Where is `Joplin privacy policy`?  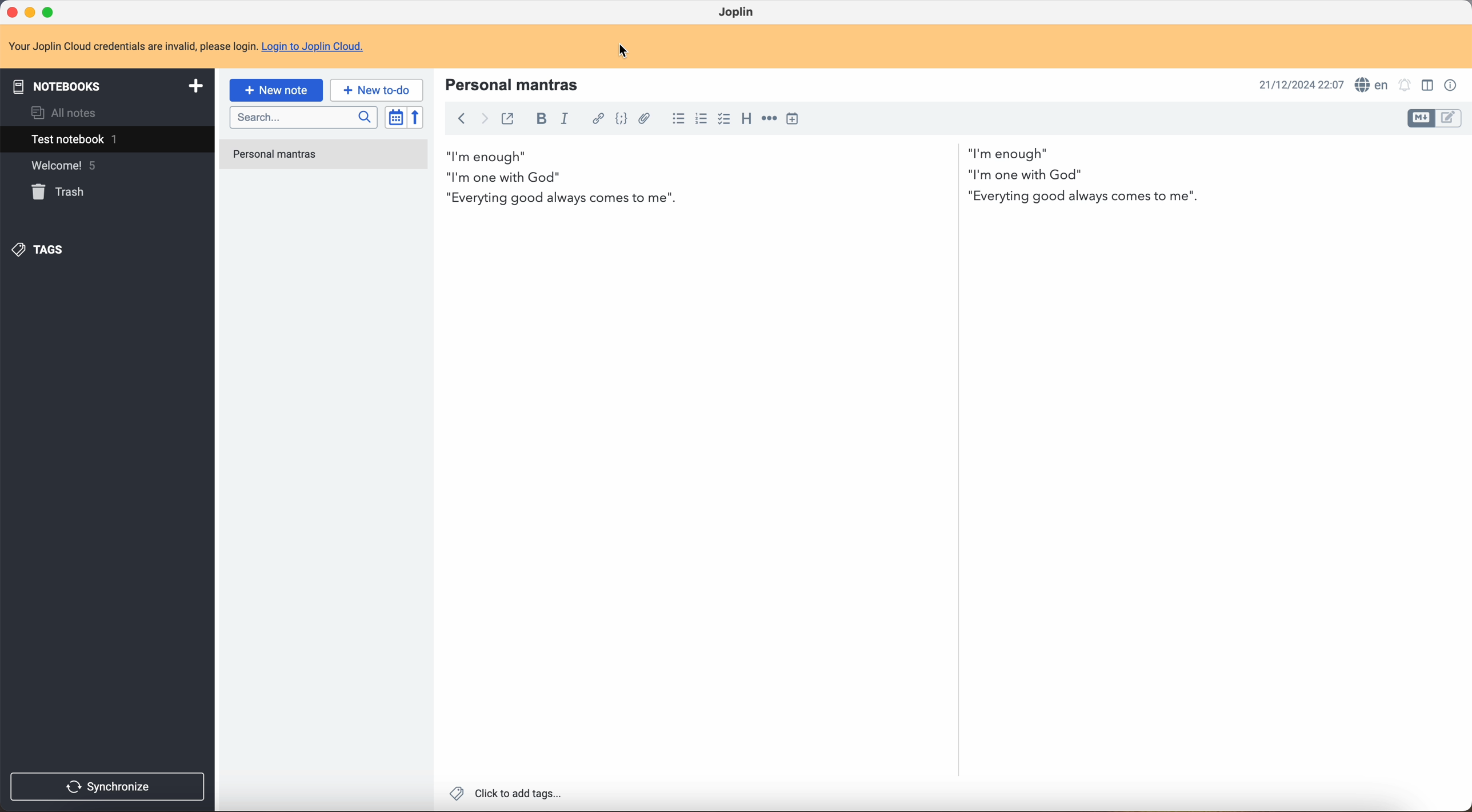 Joplin privacy policy is located at coordinates (288, 275).